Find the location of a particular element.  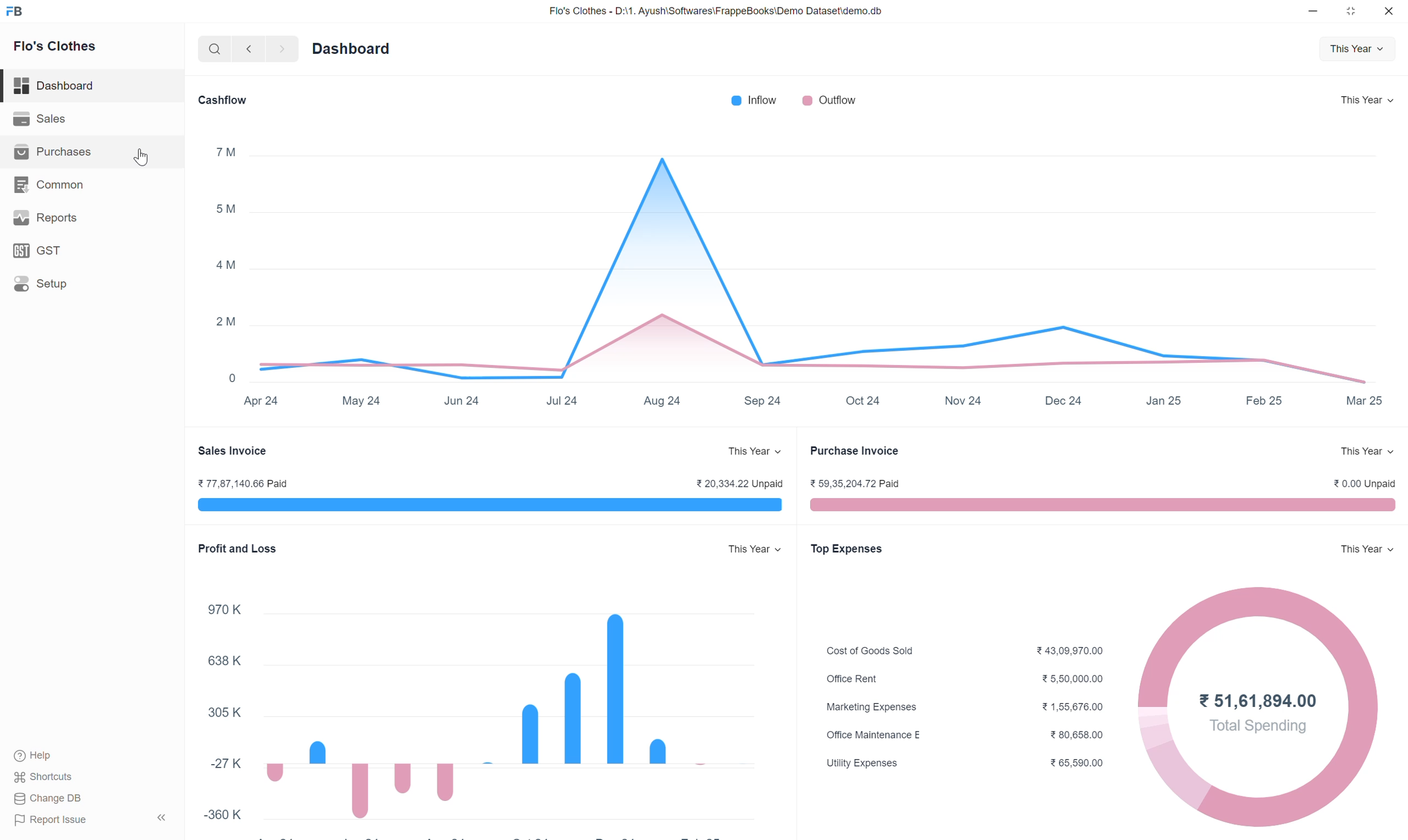

Profit and Loss is located at coordinates (239, 548).